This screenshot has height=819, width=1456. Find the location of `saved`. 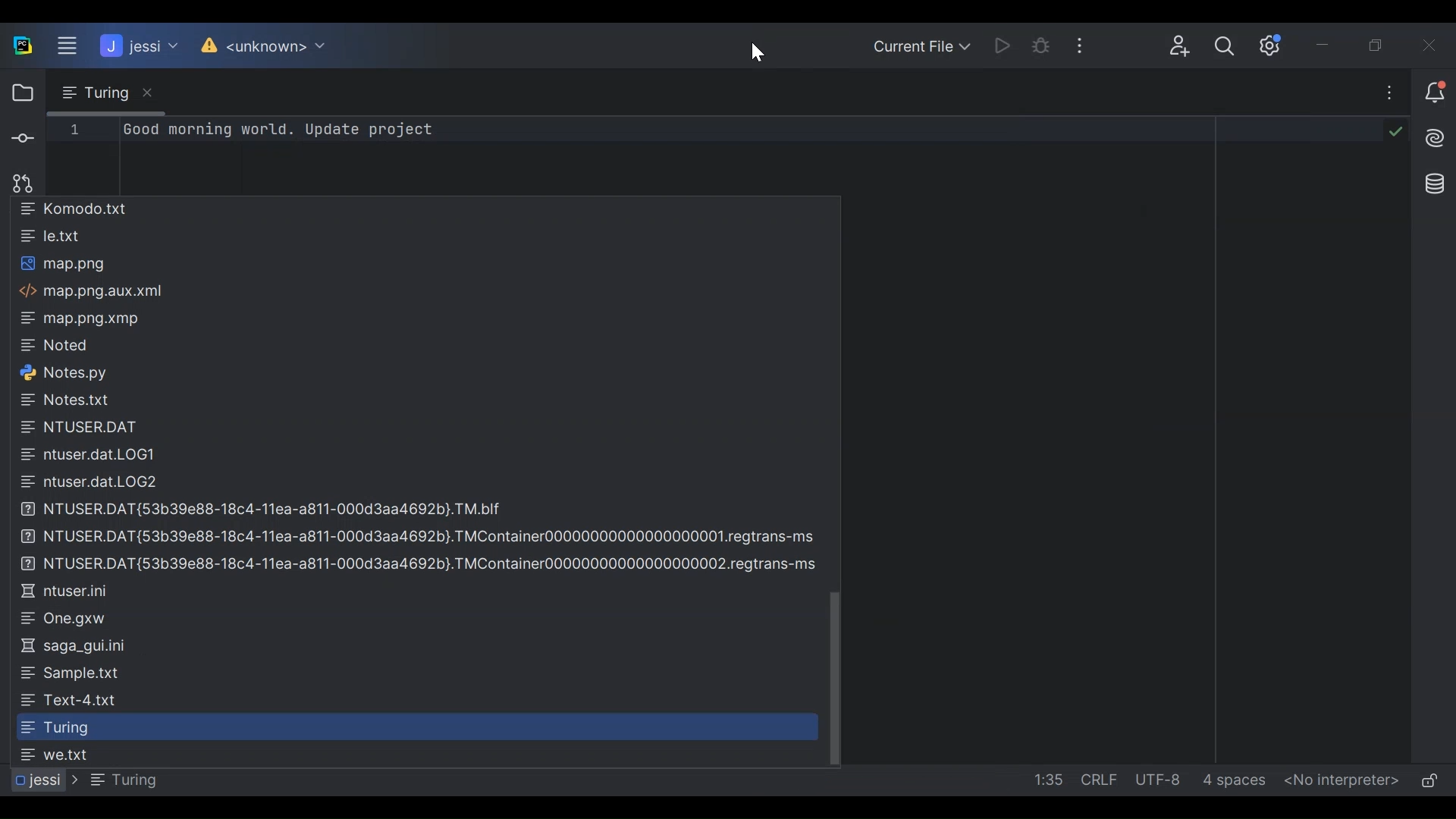

saved is located at coordinates (1392, 130).